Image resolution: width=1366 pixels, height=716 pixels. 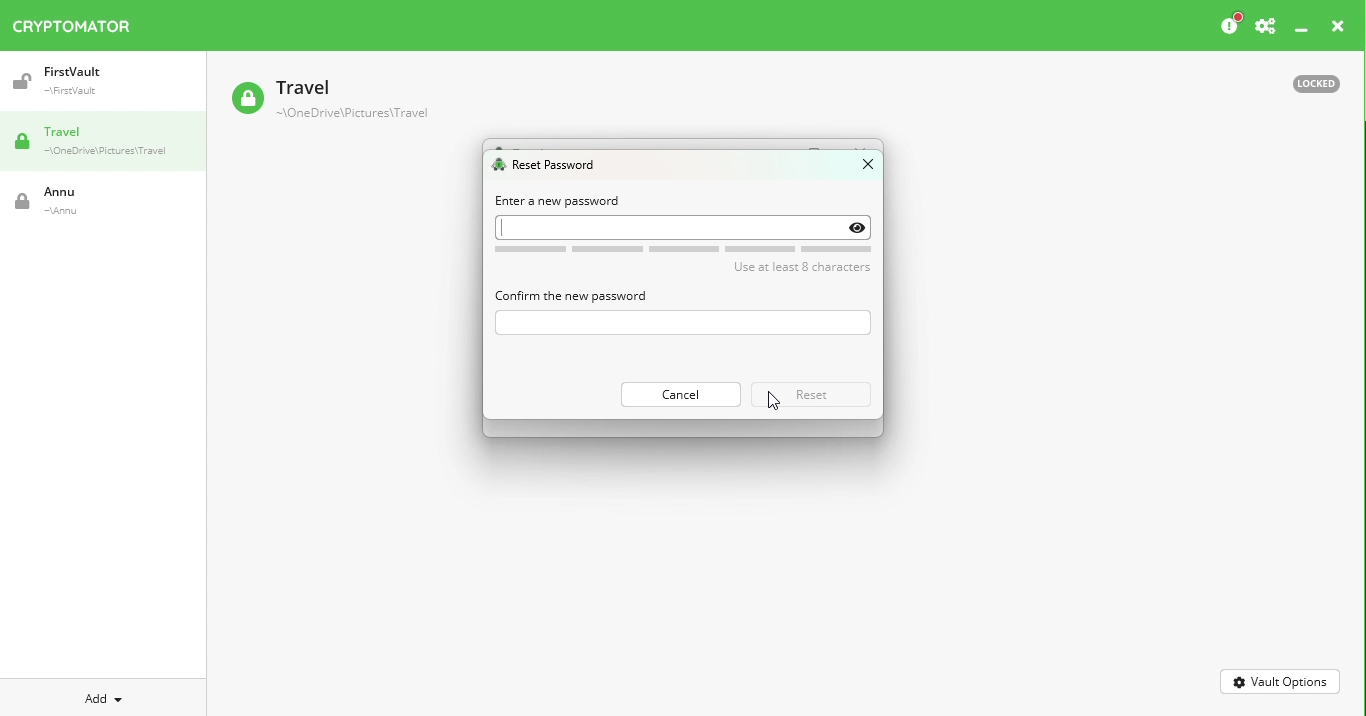 What do you see at coordinates (681, 323) in the screenshot?
I see `Enter password` at bounding box center [681, 323].